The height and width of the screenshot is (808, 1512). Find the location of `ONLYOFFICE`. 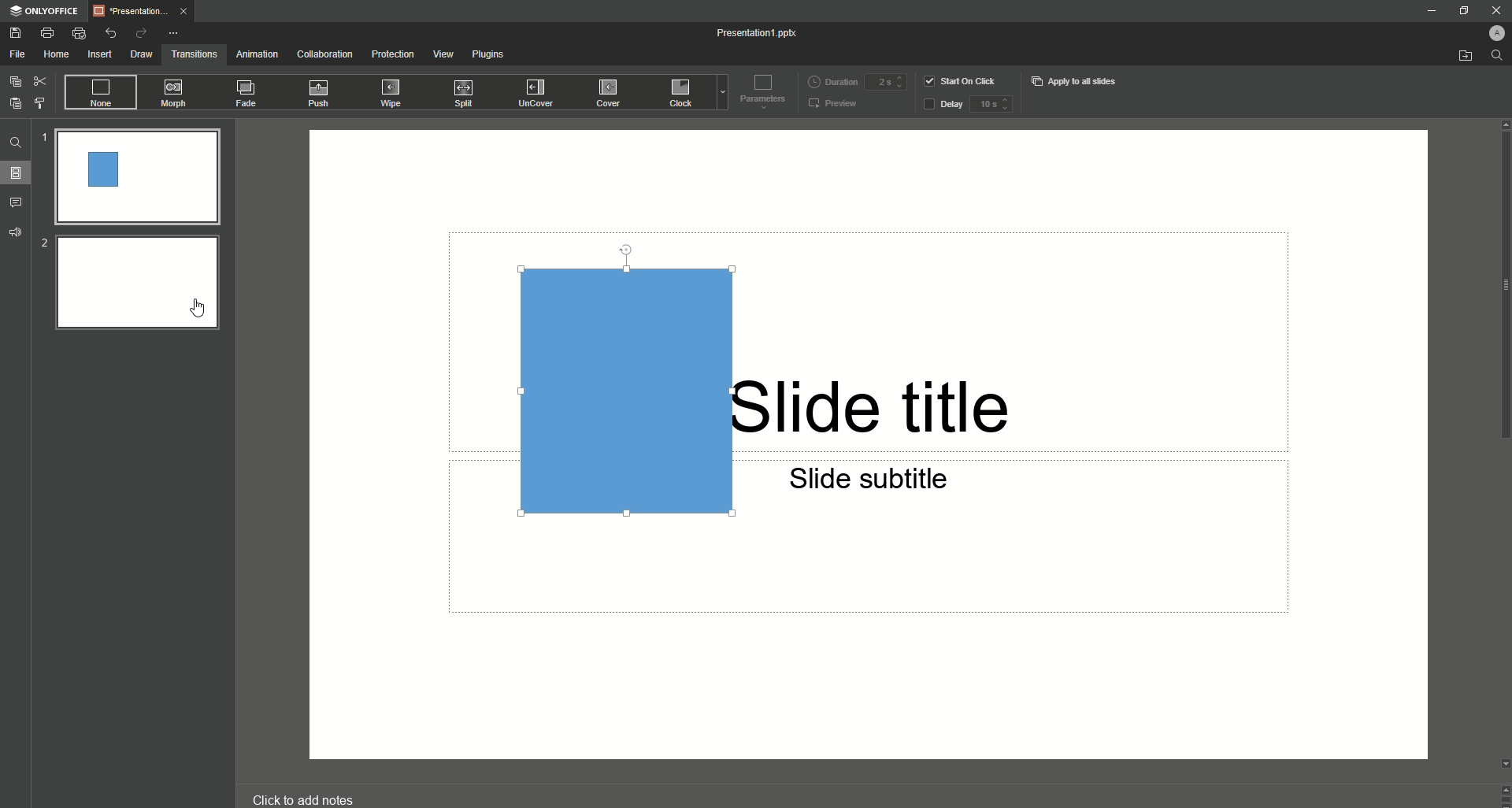

ONLYOFFICE is located at coordinates (46, 10).